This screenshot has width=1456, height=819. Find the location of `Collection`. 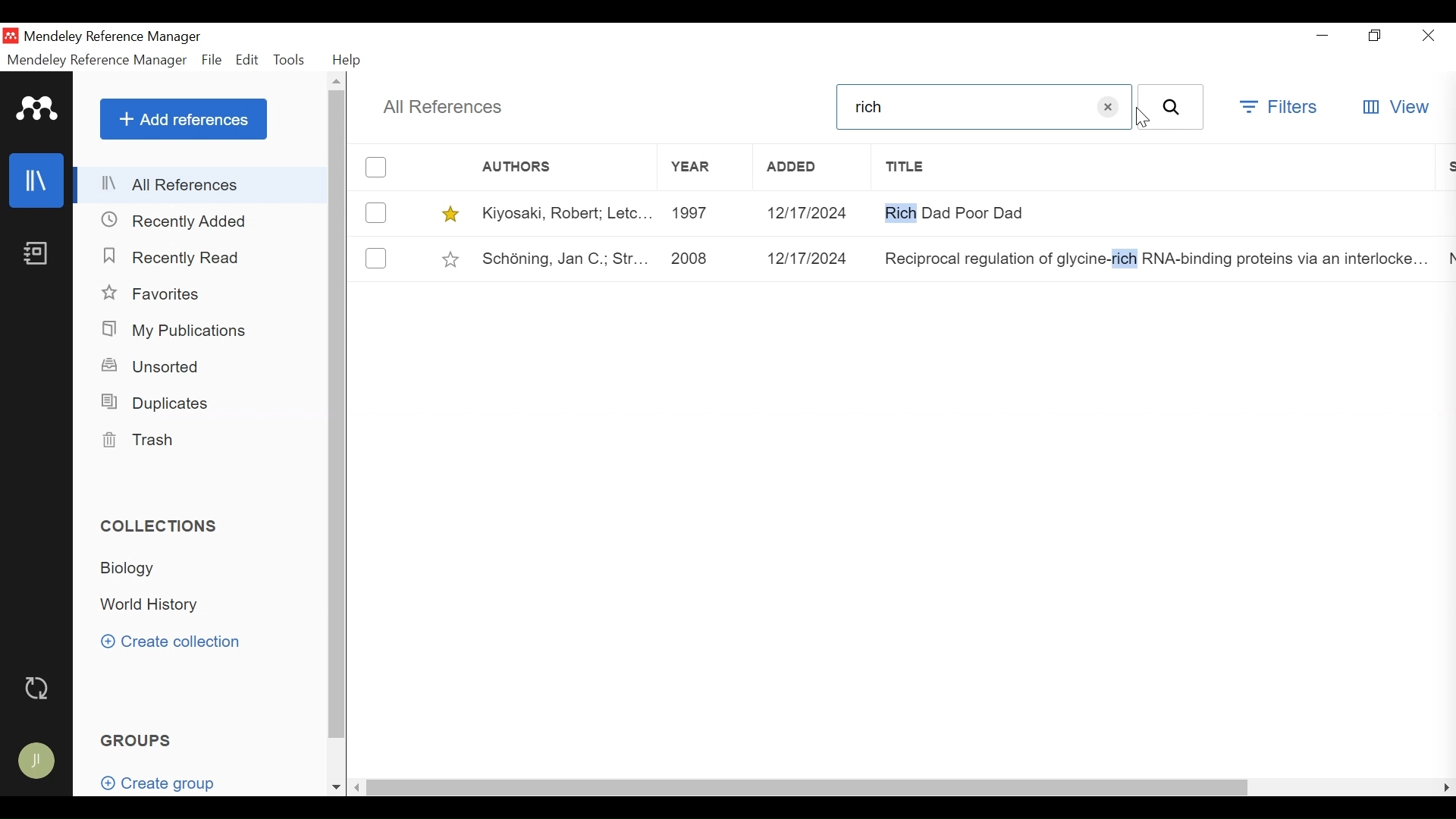

Collection is located at coordinates (157, 605).